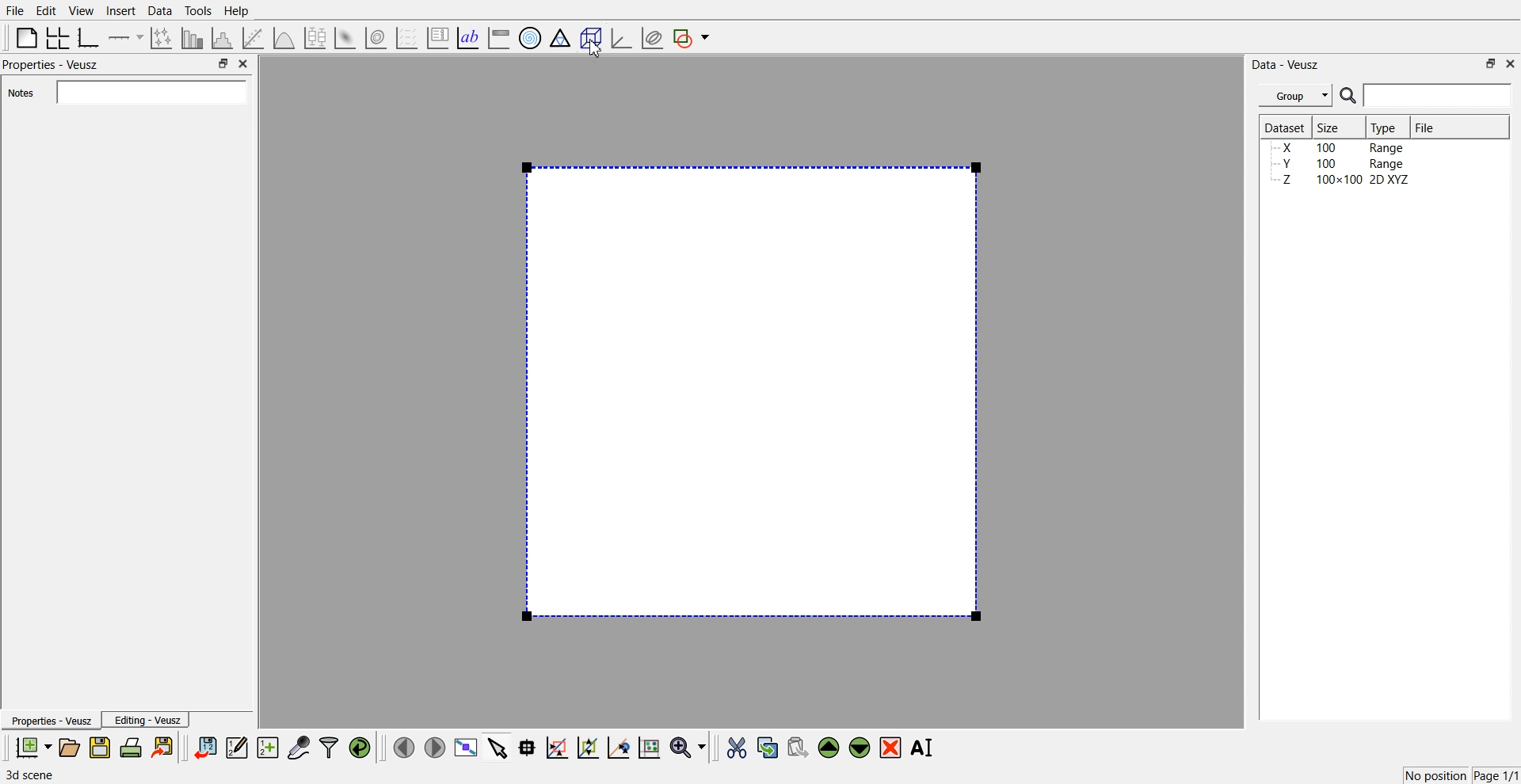 The image size is (1521, 784). I want to click on Rename the selected widget, so click(924, 748).